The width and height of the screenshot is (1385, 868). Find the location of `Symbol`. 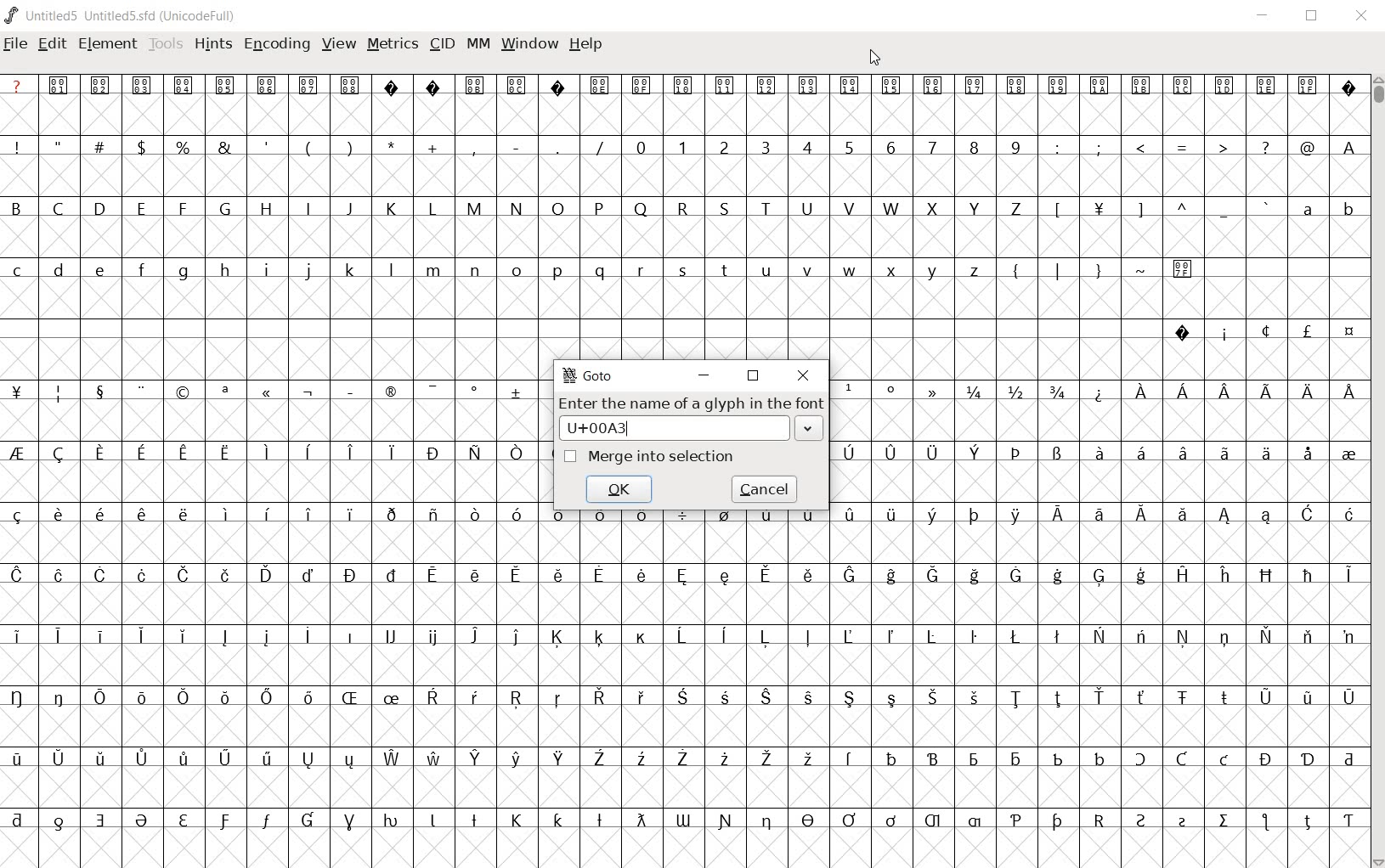

Symbol is located at coordinates (184, 86).